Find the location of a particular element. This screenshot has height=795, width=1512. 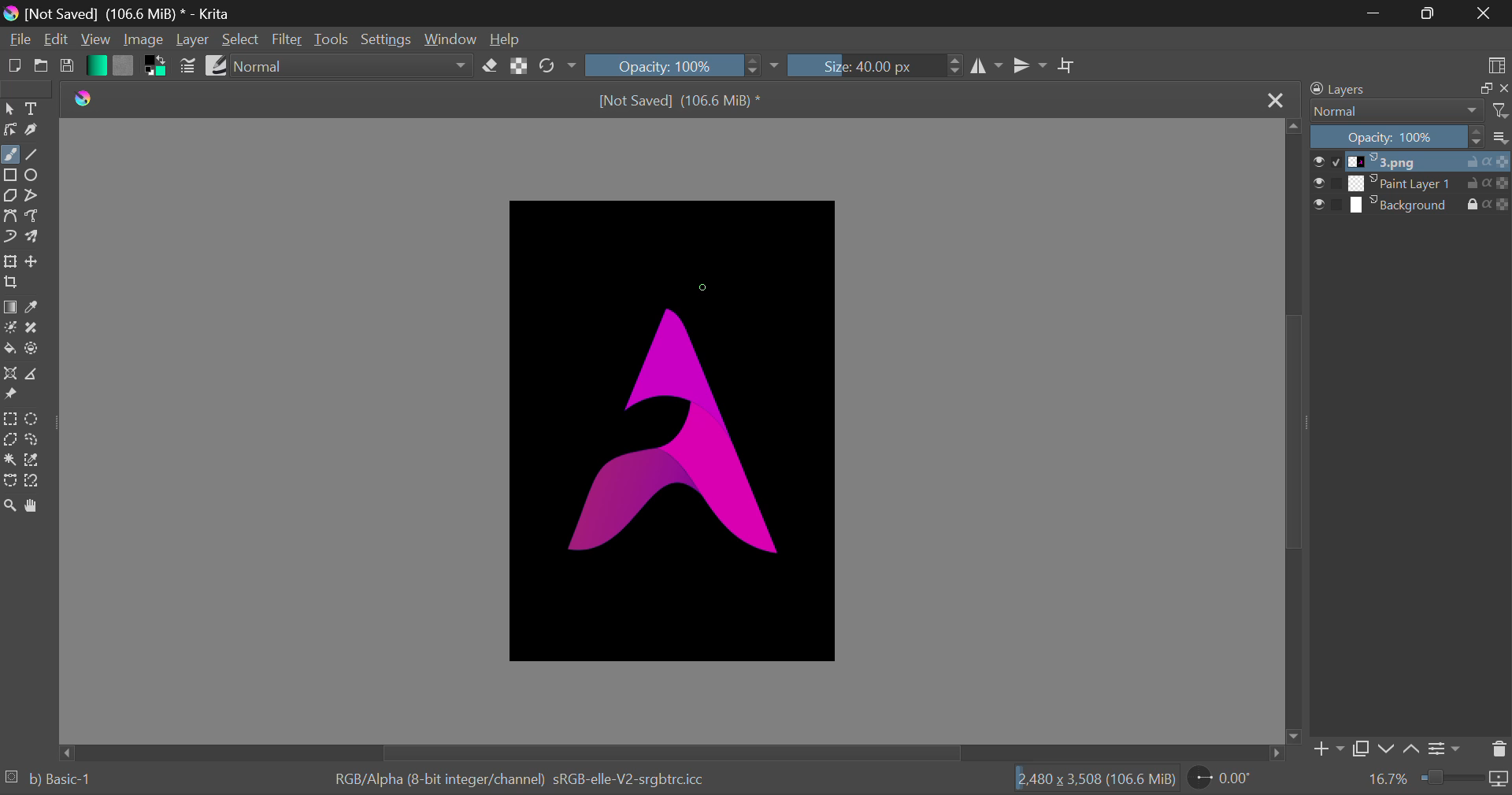

Line is located at coordinates (35, 155).